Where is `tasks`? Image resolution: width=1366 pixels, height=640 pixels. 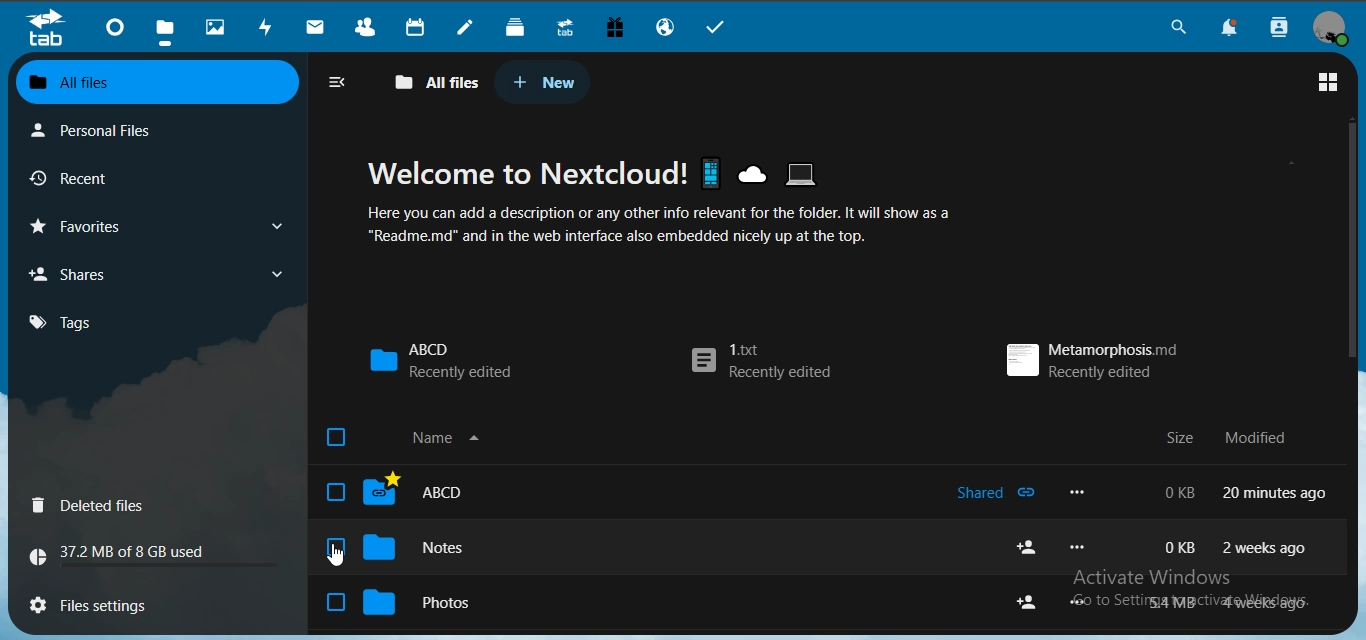 tasks is located at coordinates (719, 27).